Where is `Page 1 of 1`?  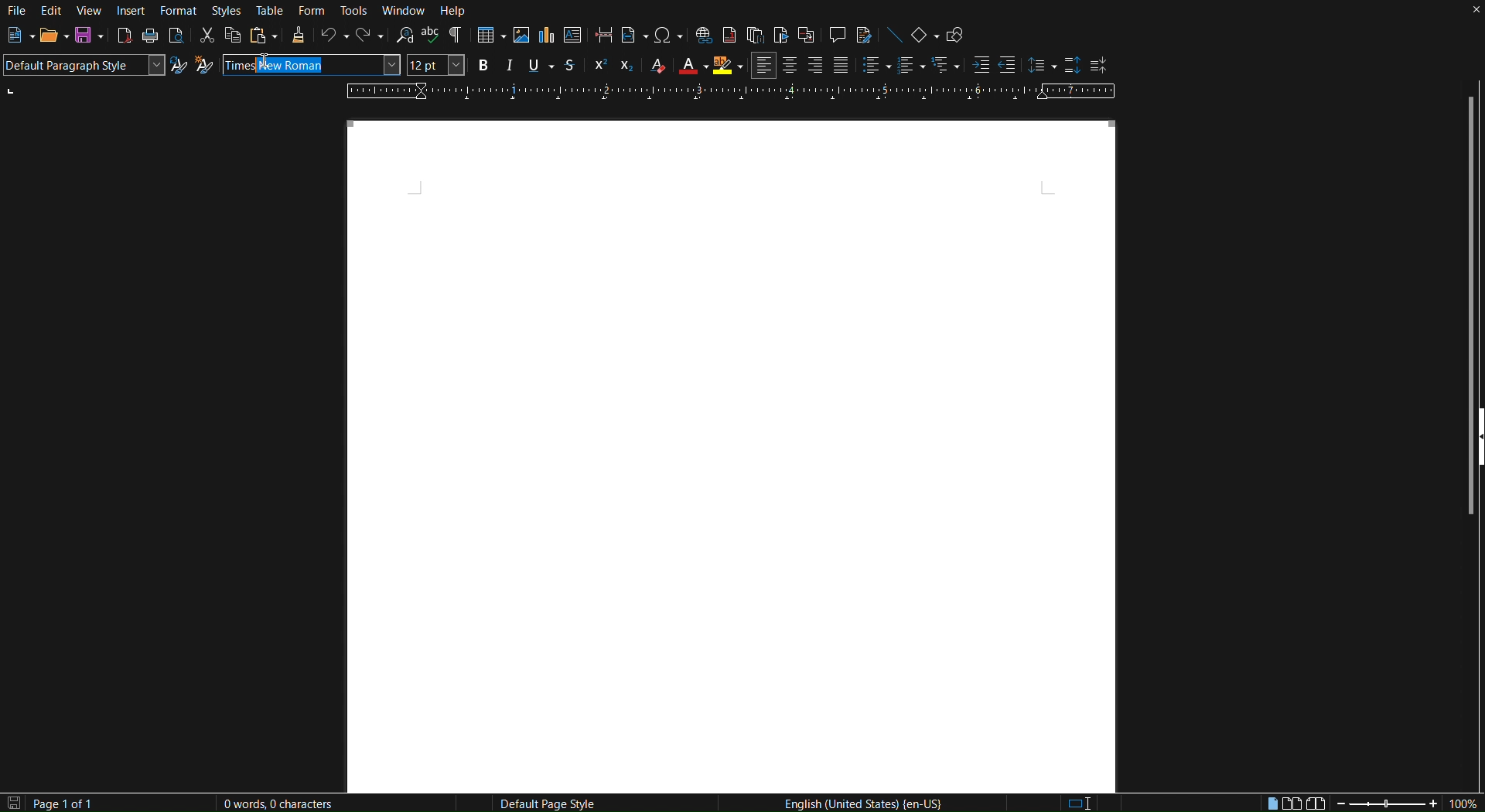
Page 1 of 1 is located at coordinates (80, 802).